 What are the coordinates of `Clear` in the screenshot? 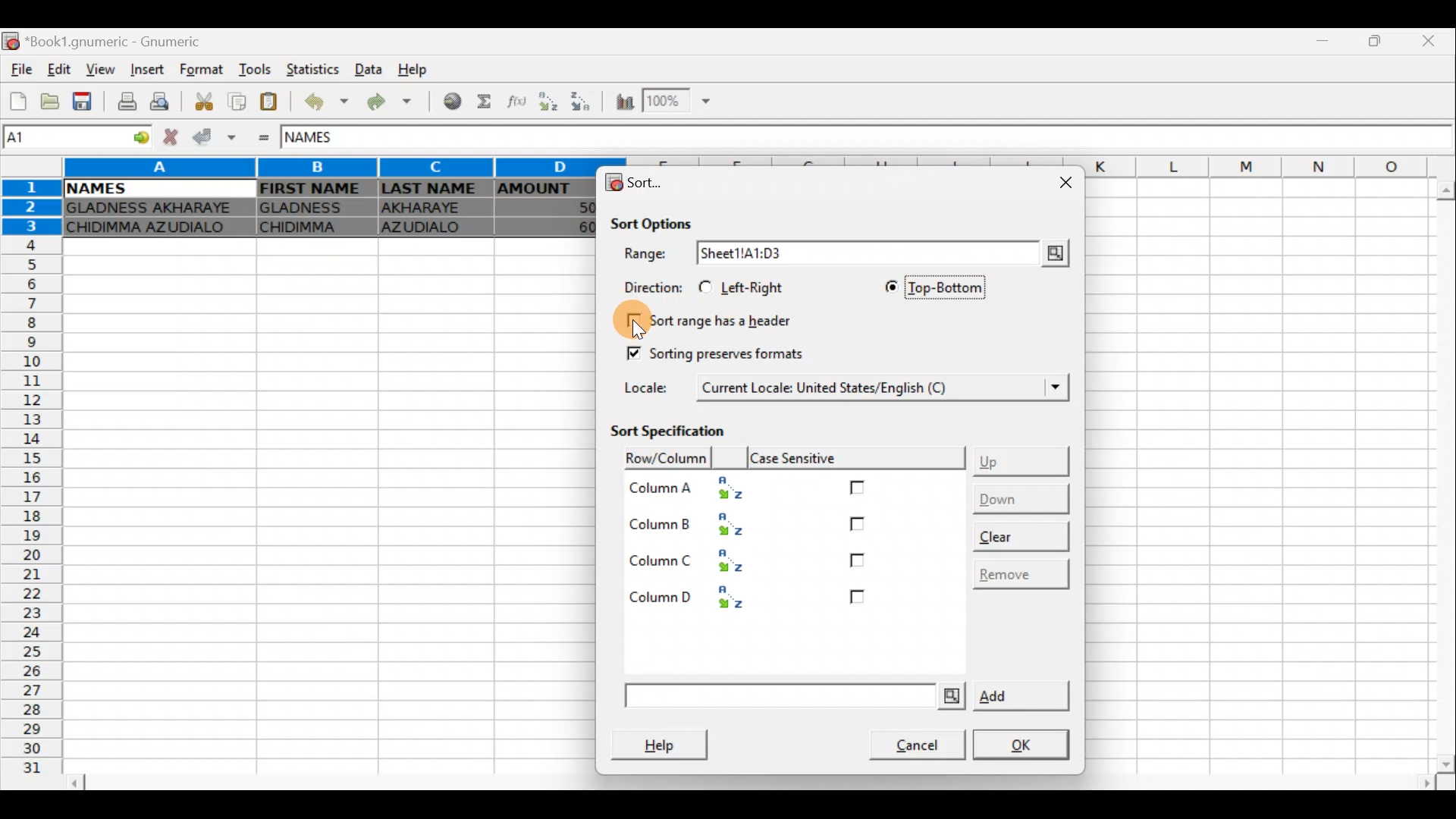 It's located at (1019, 532).